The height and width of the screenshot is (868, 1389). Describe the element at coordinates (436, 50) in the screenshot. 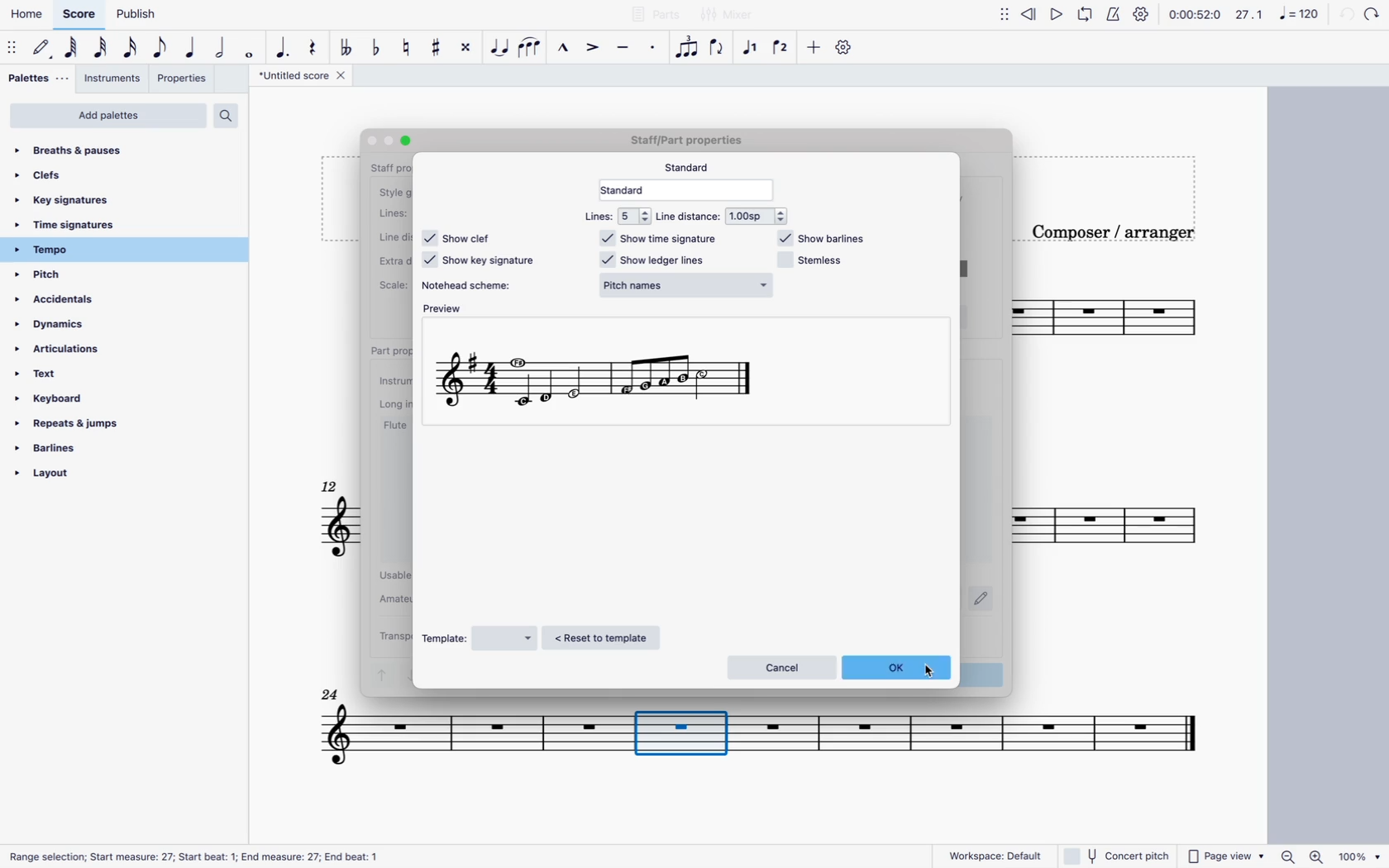

I see `toggle sharp` at that location.